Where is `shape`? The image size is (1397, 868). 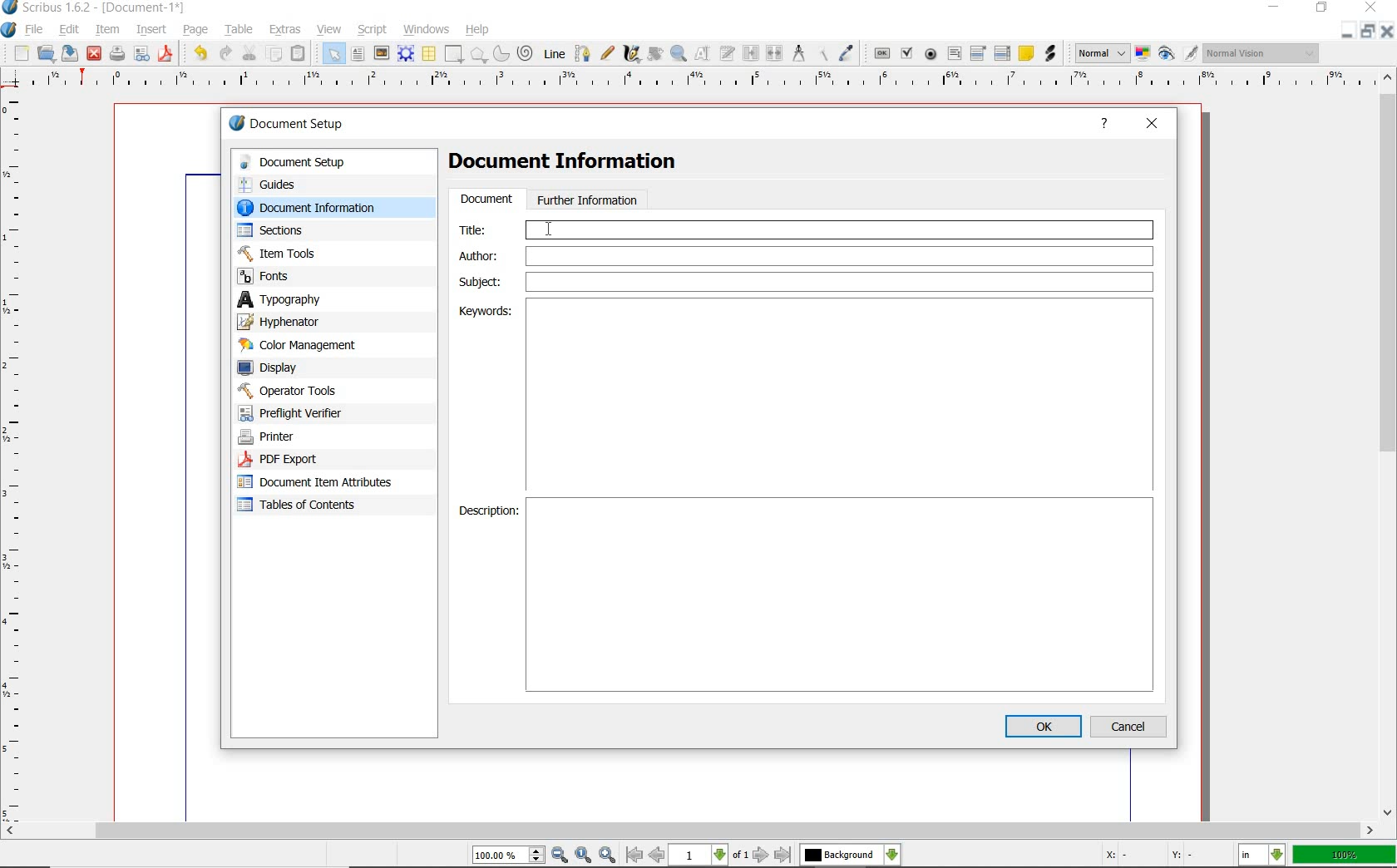 shape is located at coordinates (478, 54).